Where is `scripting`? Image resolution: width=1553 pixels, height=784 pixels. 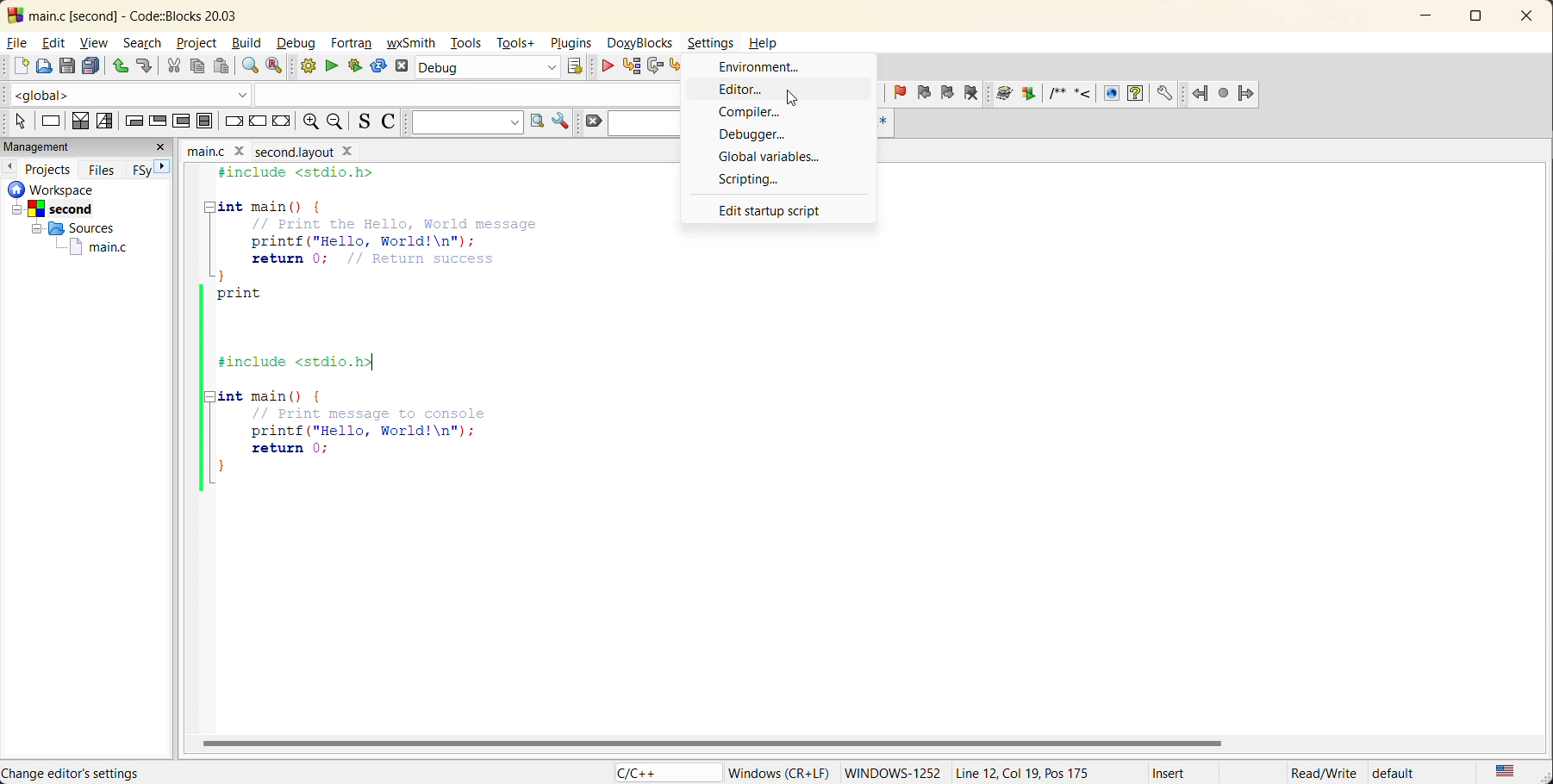 scripting is located at coordinates (752, 180).